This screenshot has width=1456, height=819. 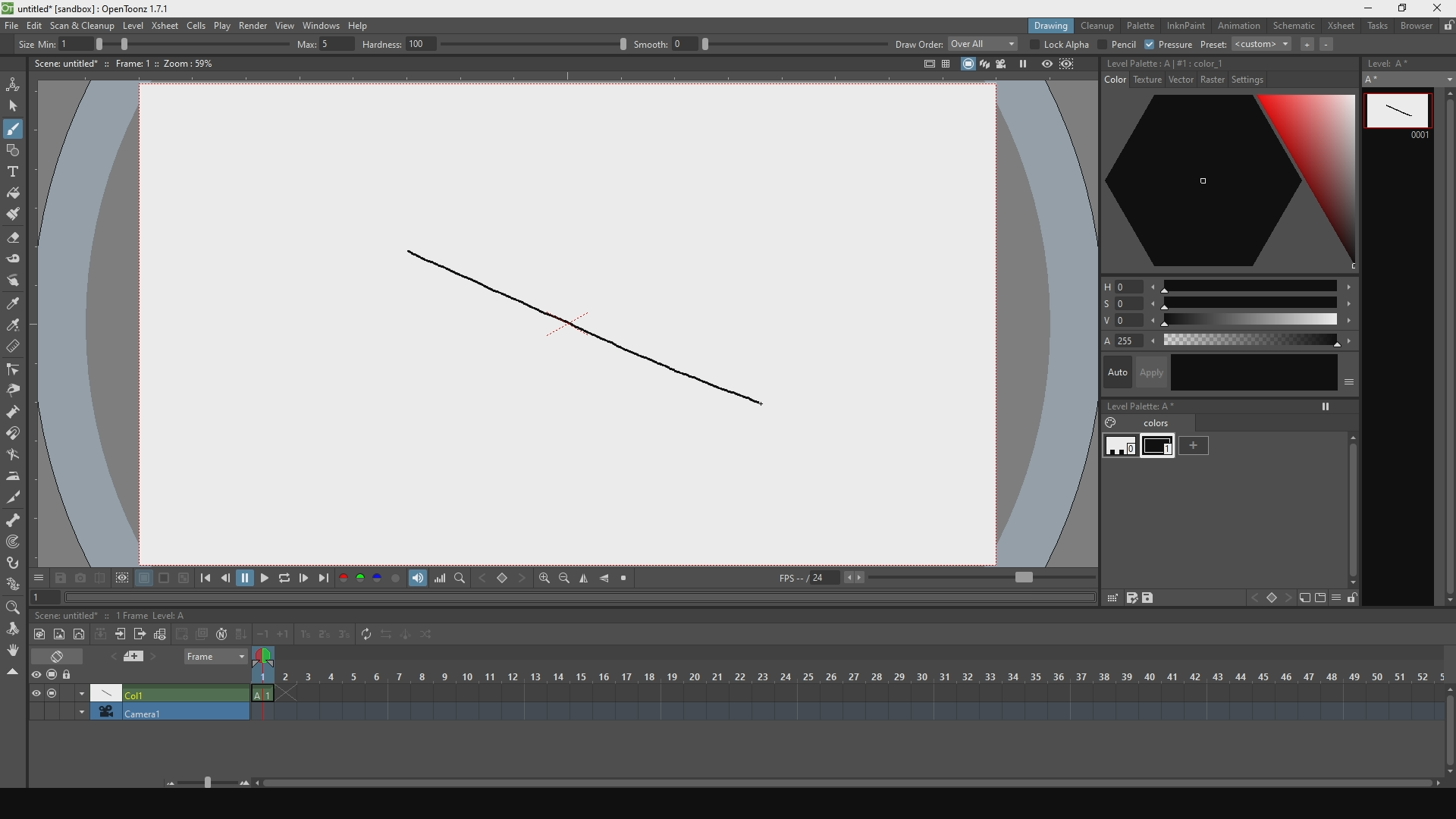 What do you see at coordinates (1303, 598) in the screenshot?
I see `icon` at bounding box center [1303, 598].